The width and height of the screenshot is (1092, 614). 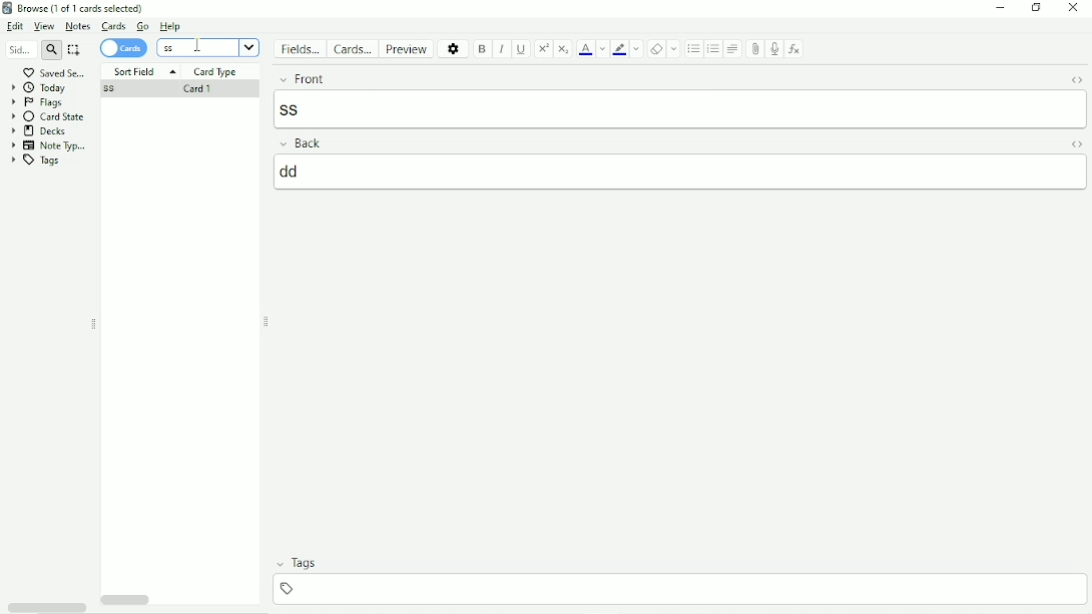 What do you see at coordinates (302, 49) in the screenshot?
I see `Fields` at bounding box center [302, 49].